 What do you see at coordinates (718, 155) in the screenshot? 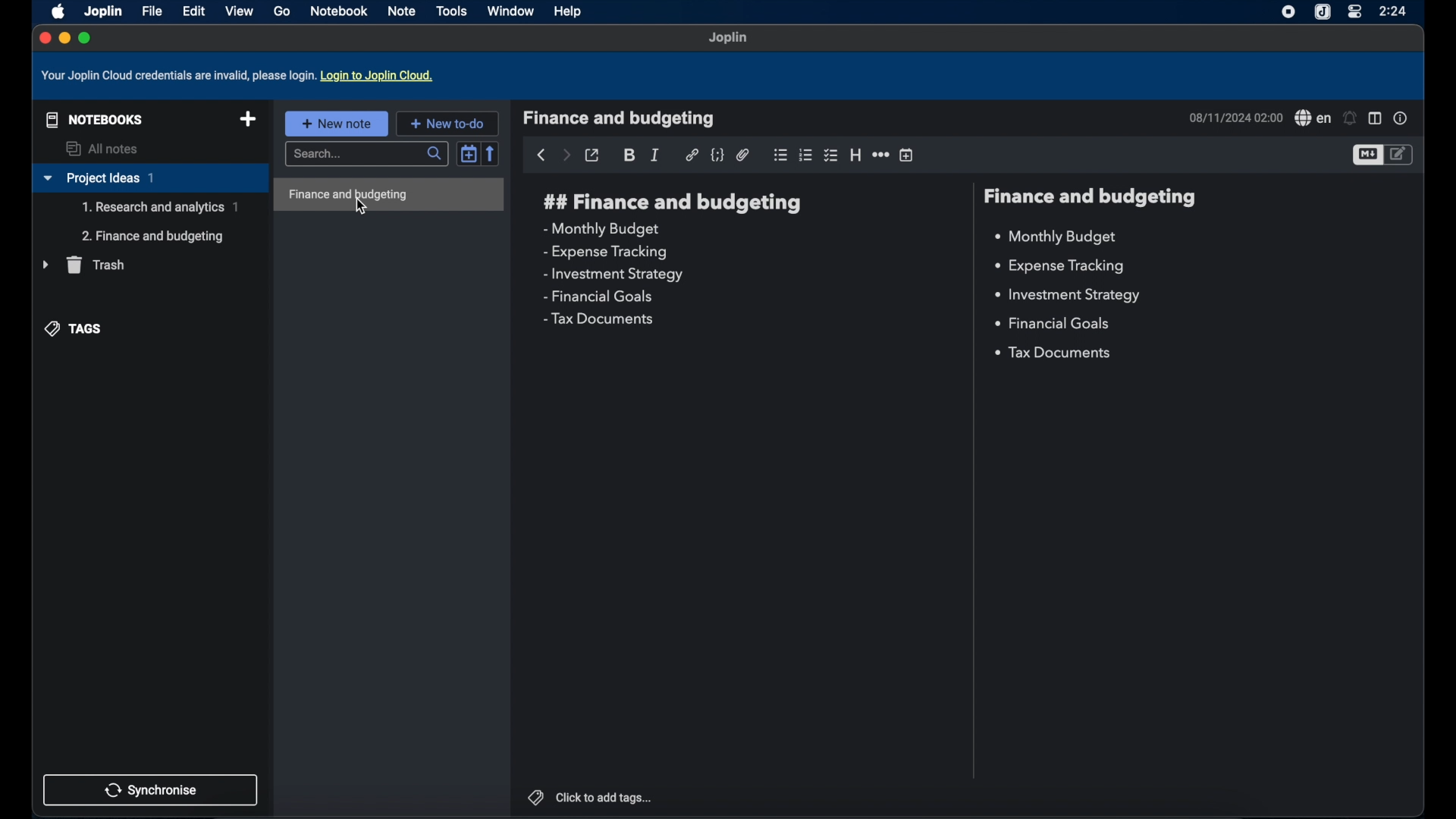
I see `code` at bounding box center [718, 155].